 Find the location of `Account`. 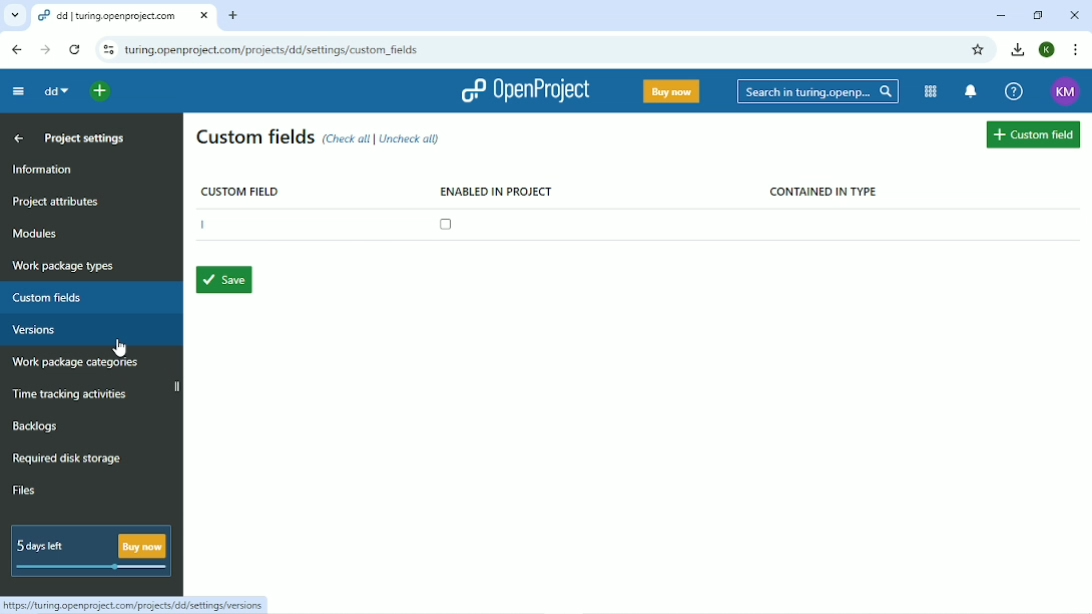

Account is located at coordinates (1066, 92).